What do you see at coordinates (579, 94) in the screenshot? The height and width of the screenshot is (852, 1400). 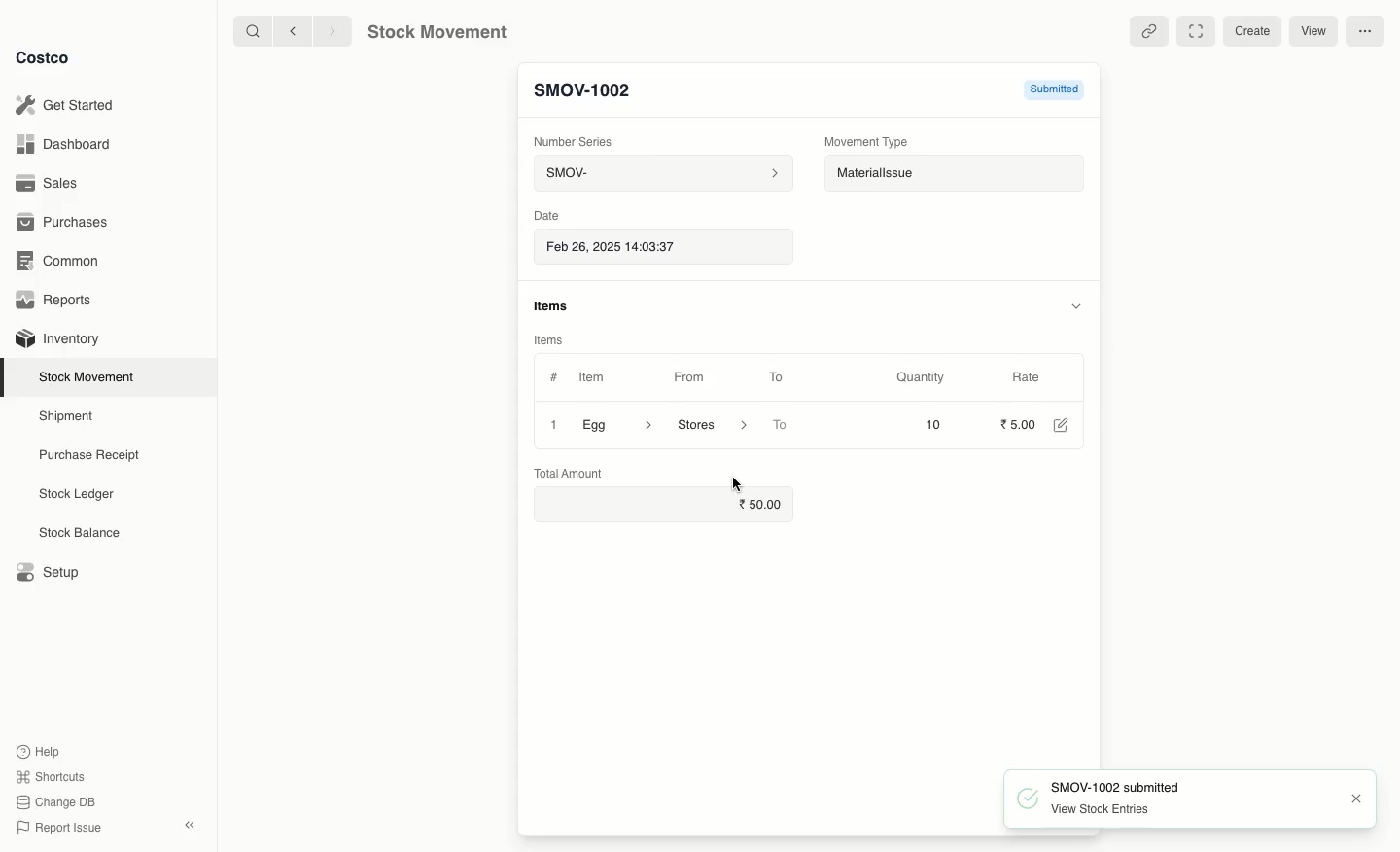 I see `New Entry` at bounding box center [579, 94].